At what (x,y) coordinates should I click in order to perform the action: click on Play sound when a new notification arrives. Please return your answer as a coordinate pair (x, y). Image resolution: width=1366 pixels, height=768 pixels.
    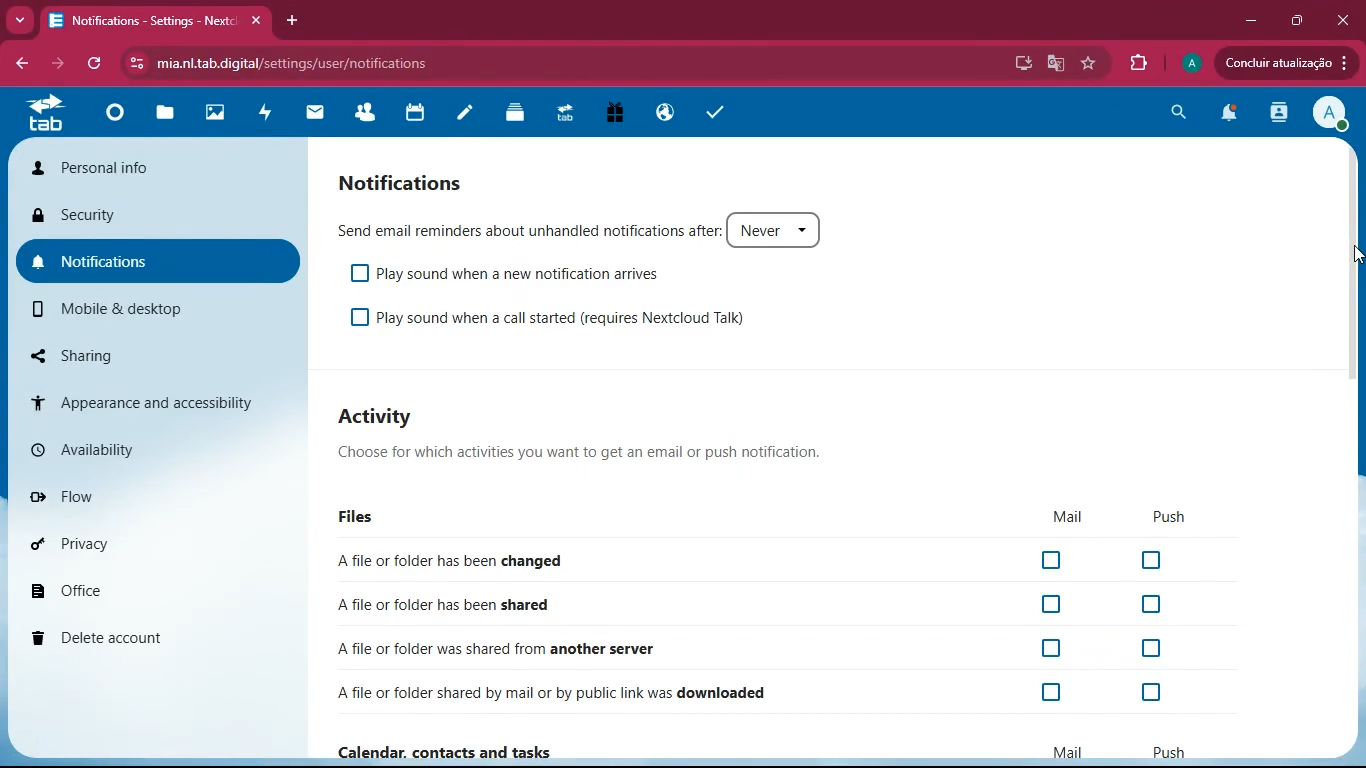
    Looking at the image, I should click on (504, 274).